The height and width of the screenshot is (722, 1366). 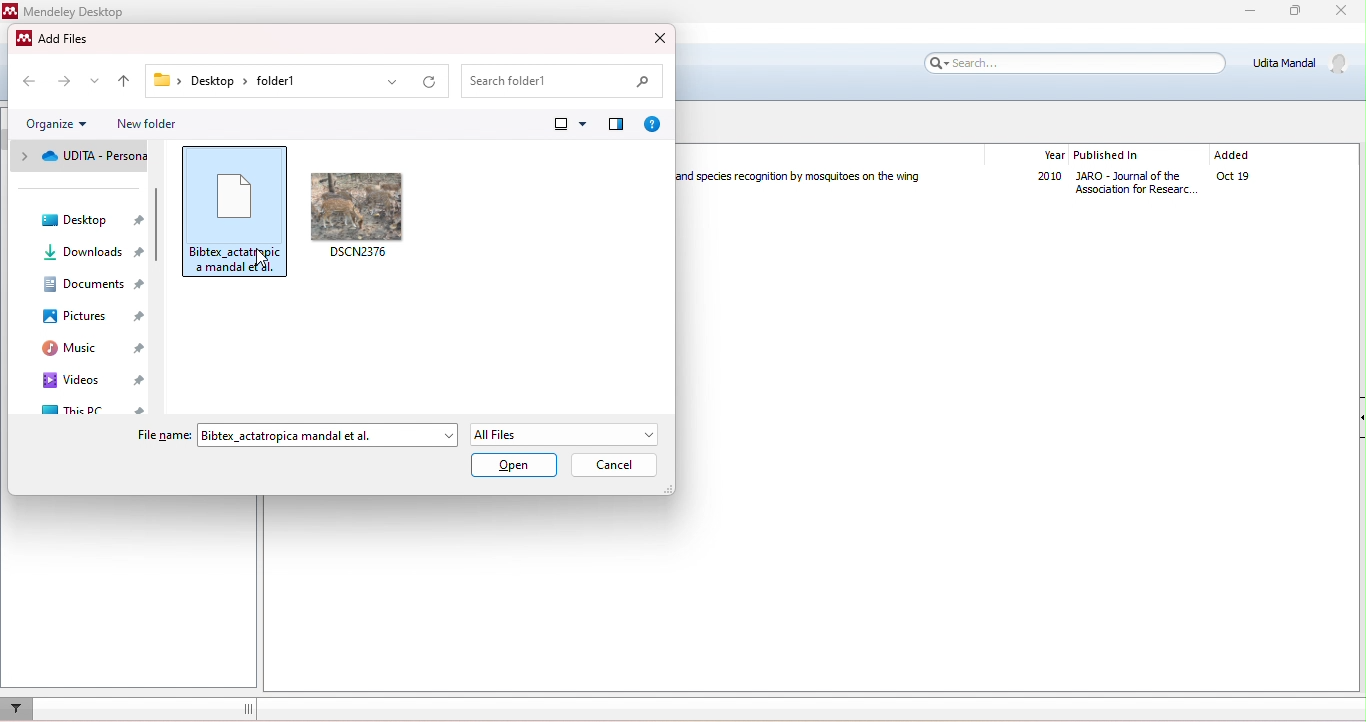 What do you see at coordinates (24, 38) in the screenshot?
I see `Mendeley logo` at bounding box center [24, 38].